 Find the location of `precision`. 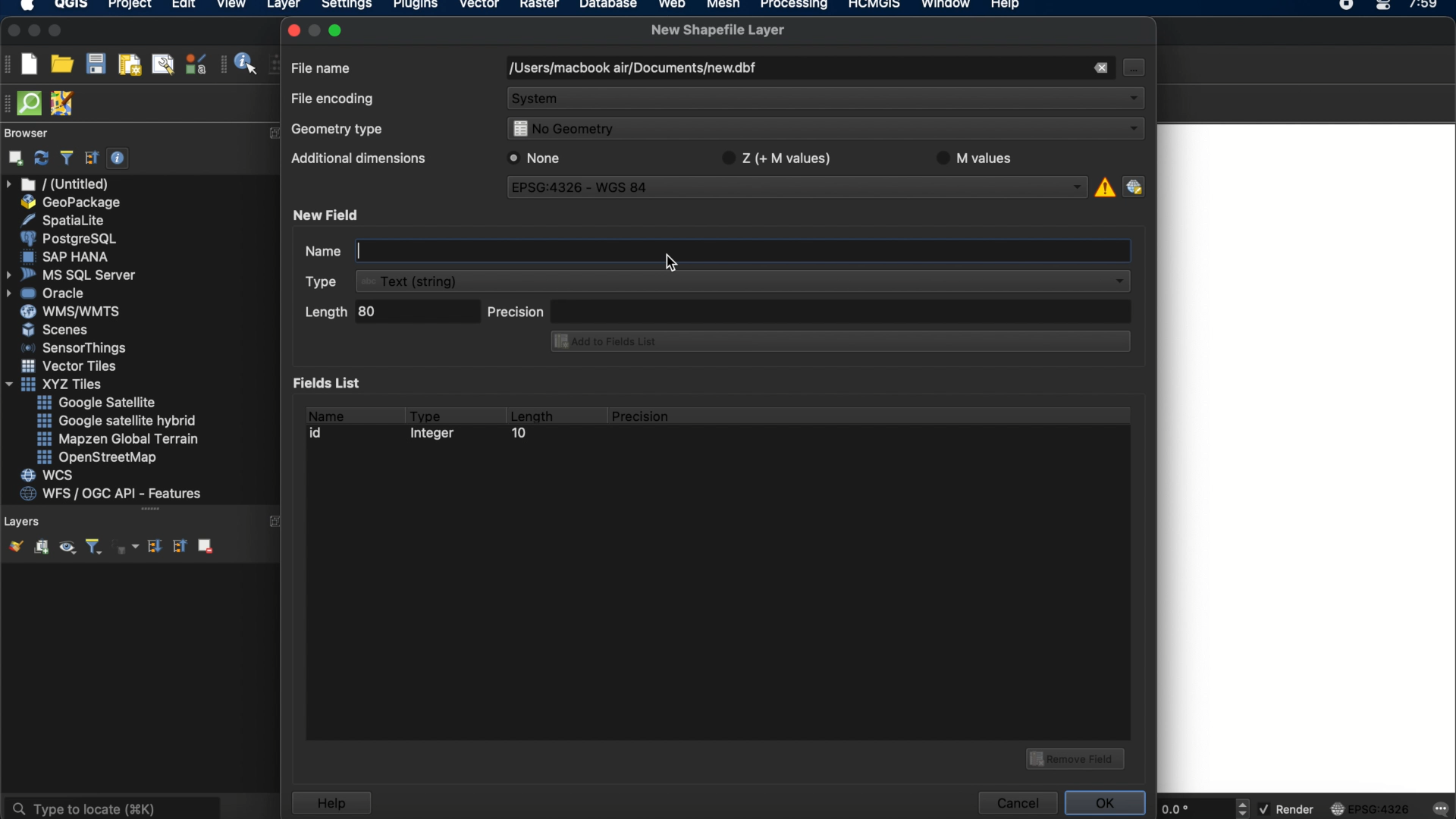

precision is located at coordinates (809, 310).